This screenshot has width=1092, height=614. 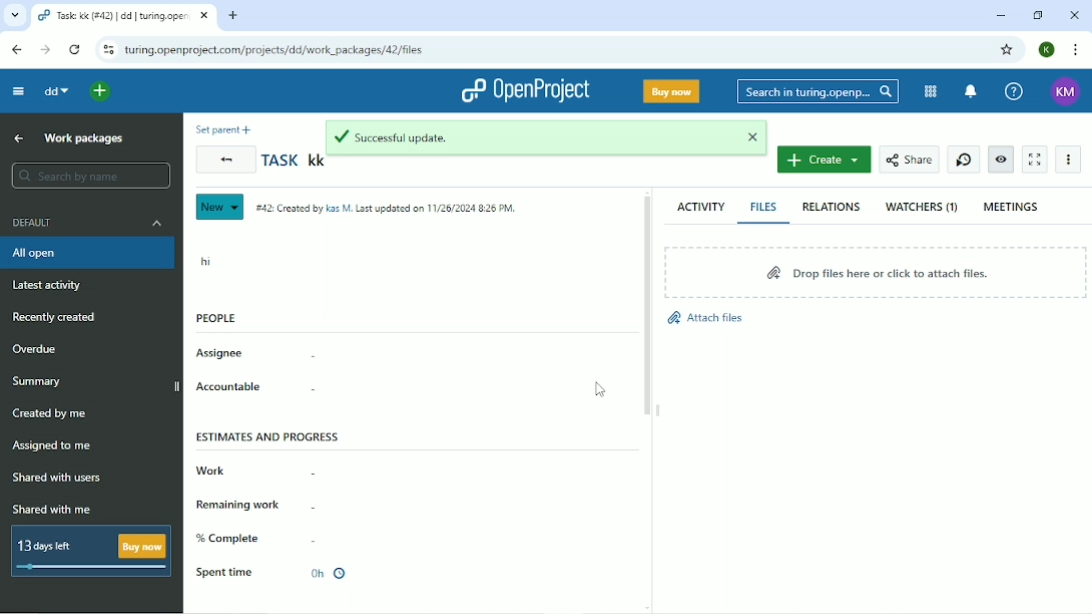 What do you see at coordinates (51, 286) in the screenshot?
I see `Latest activity` at bounding box center [51, 286].